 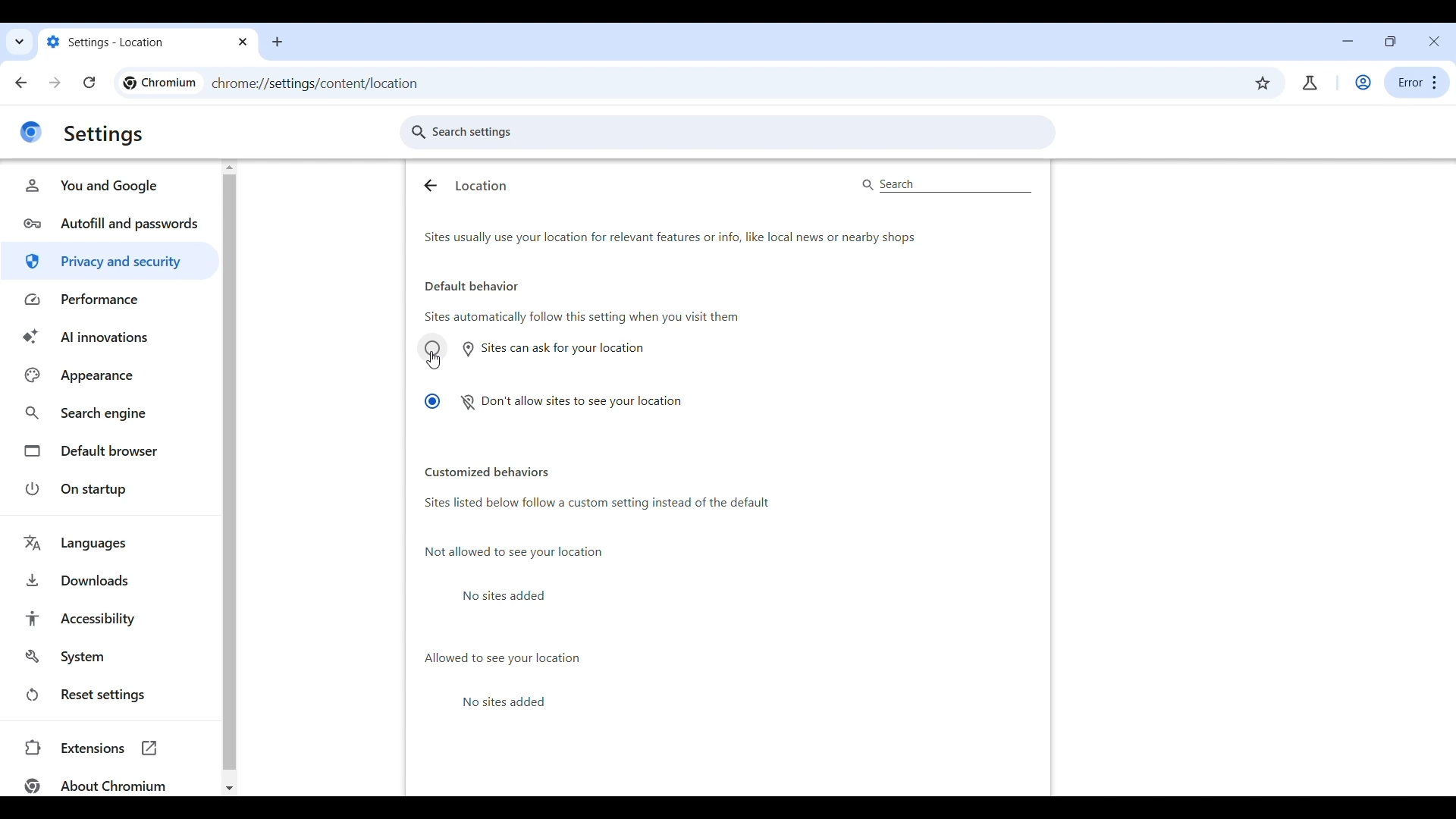 I want to click on System, so click(x=108, y=657).